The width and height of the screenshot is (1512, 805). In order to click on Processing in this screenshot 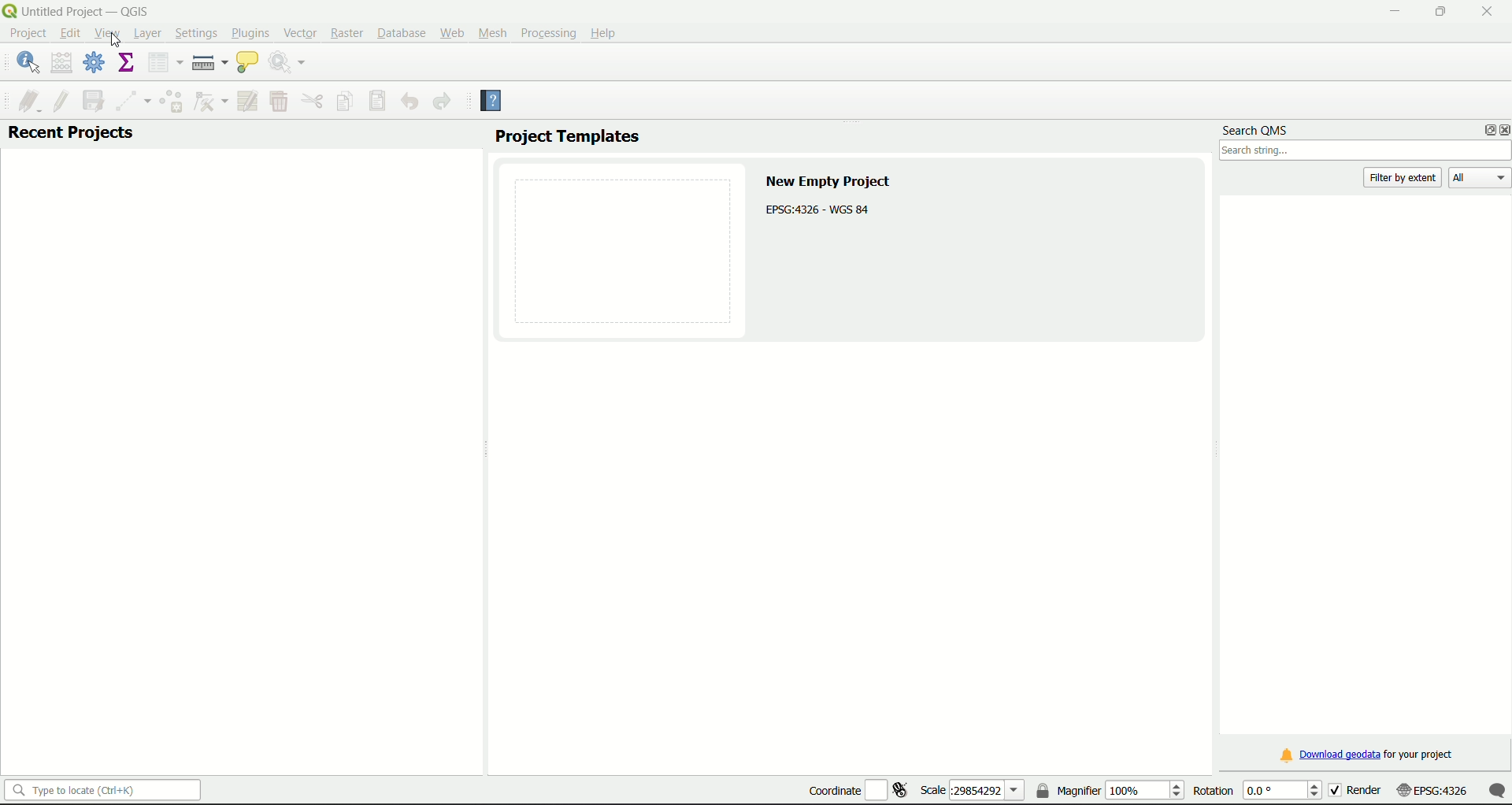, I will do `click(547, 33)`.